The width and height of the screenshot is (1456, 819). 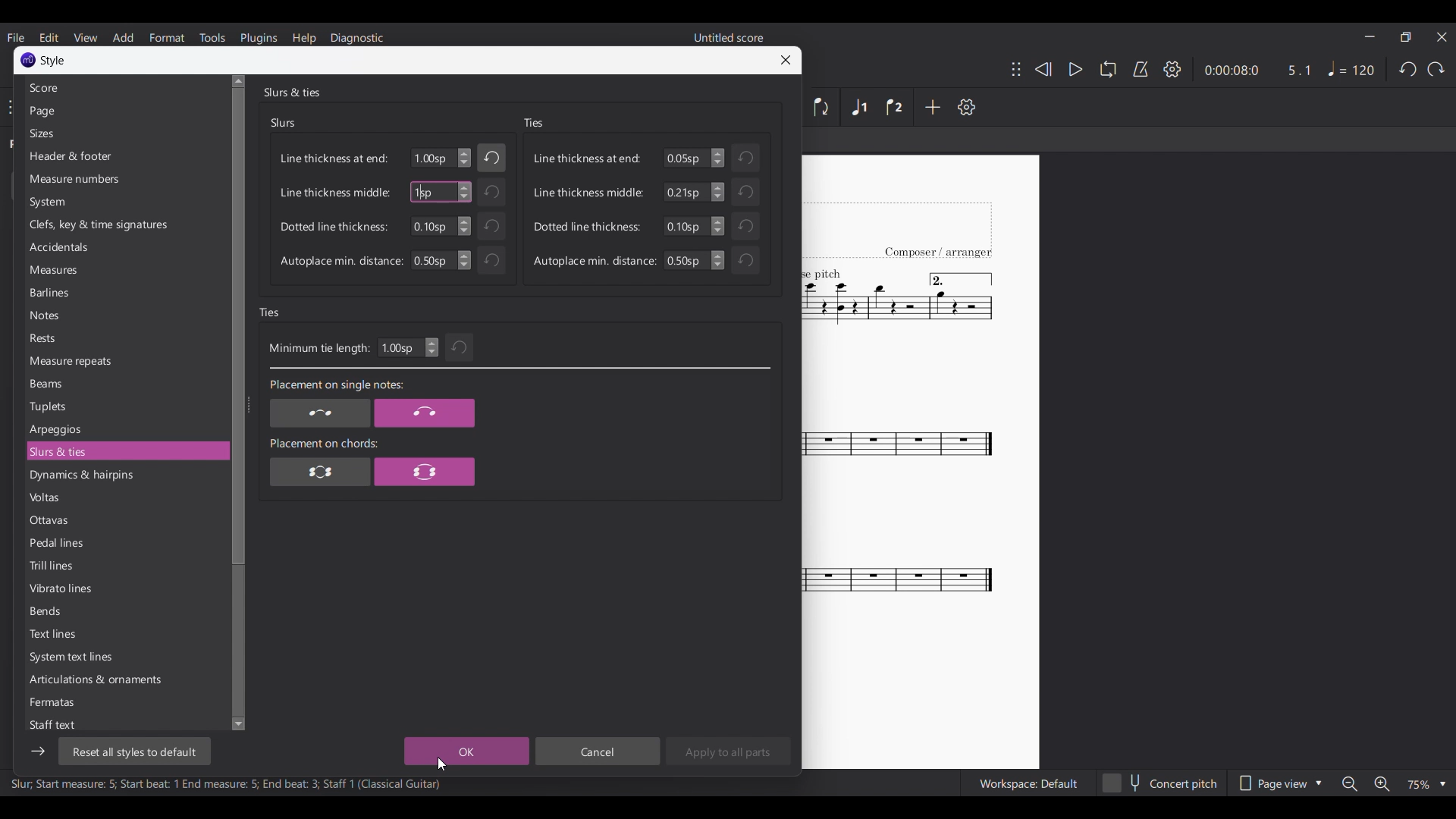 I want to click on Apply to all parts, so click(x=728, y=751).